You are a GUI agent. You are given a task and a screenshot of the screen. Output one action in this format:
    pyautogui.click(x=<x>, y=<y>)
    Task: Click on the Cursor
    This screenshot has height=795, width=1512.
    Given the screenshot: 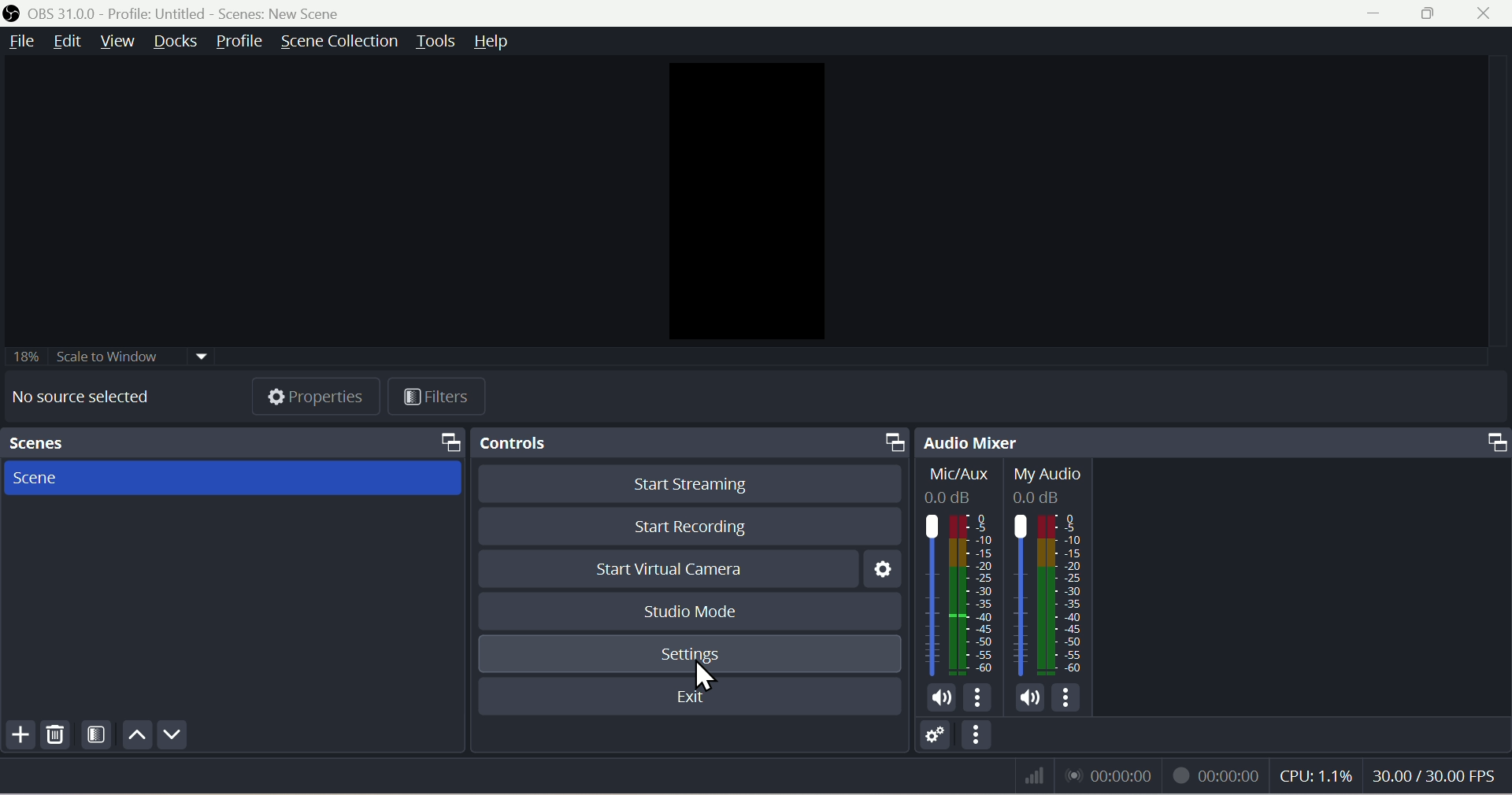 What is the action you would take?
    pyautogui.click(x=703, y=672)
    